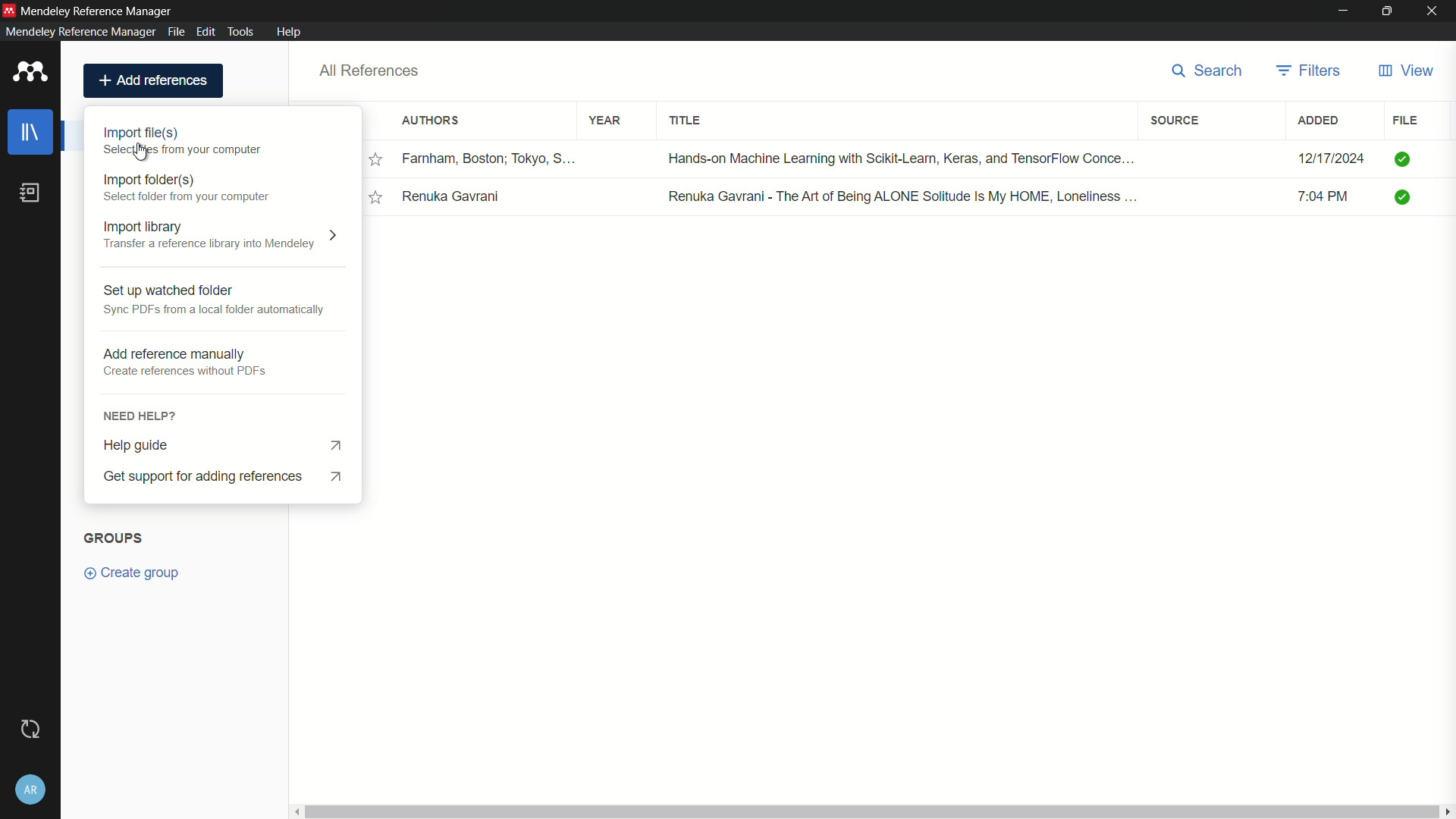 The width and height of the screenshot is (1456, 819). Describe the element at coordinates (1310, 71) in the screenshot. I see `filters` at that location.